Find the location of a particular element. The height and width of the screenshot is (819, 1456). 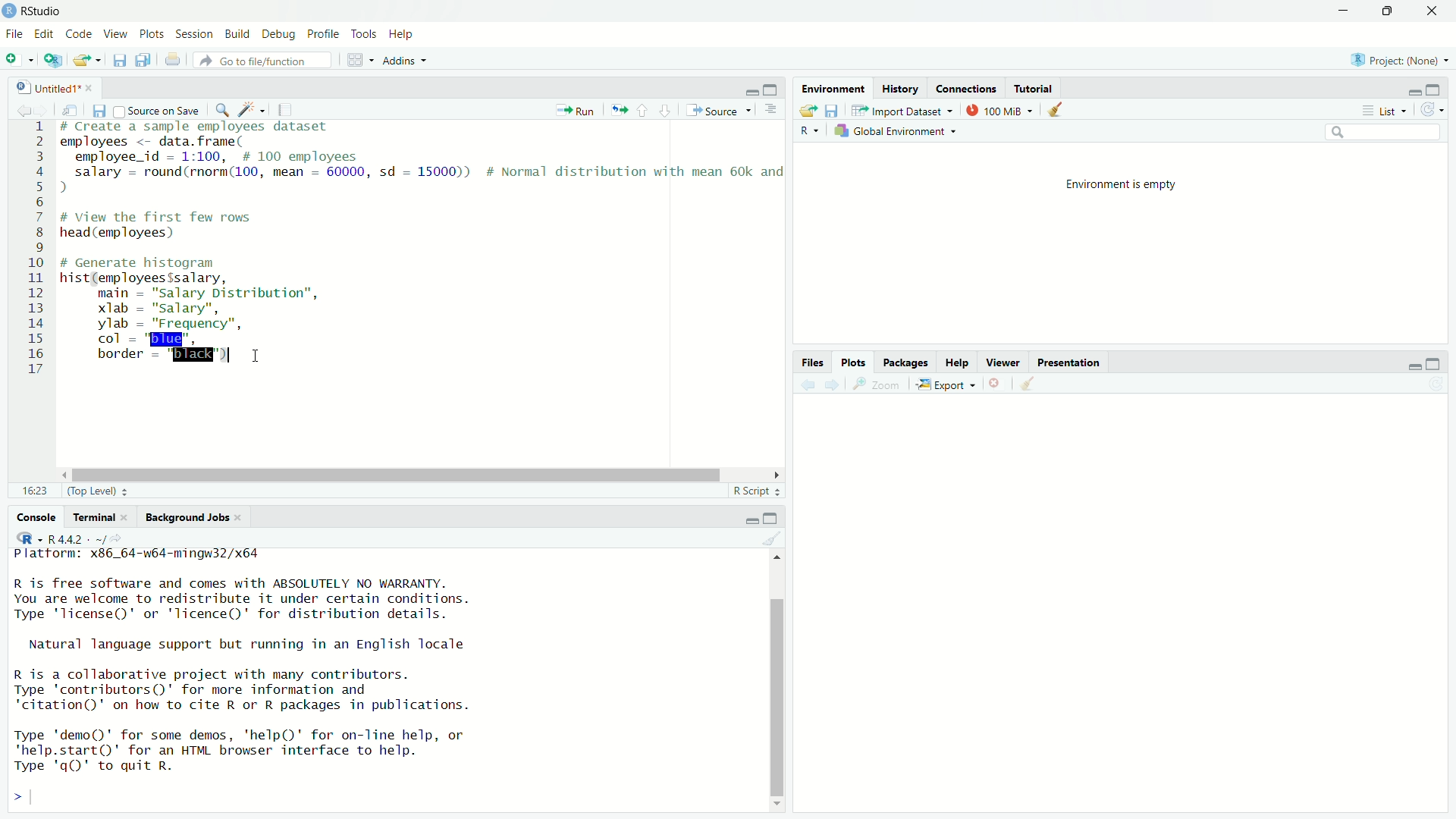

Project (none) is located at coordinates (1400, 60).